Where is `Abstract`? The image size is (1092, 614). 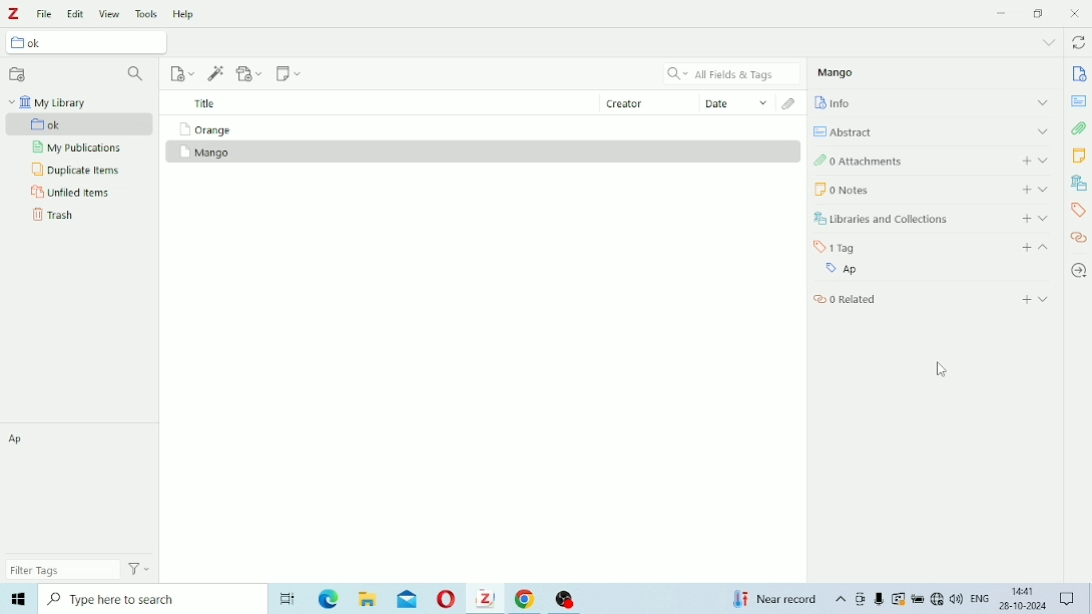 Abstract is located at coordinates (1079, 101).